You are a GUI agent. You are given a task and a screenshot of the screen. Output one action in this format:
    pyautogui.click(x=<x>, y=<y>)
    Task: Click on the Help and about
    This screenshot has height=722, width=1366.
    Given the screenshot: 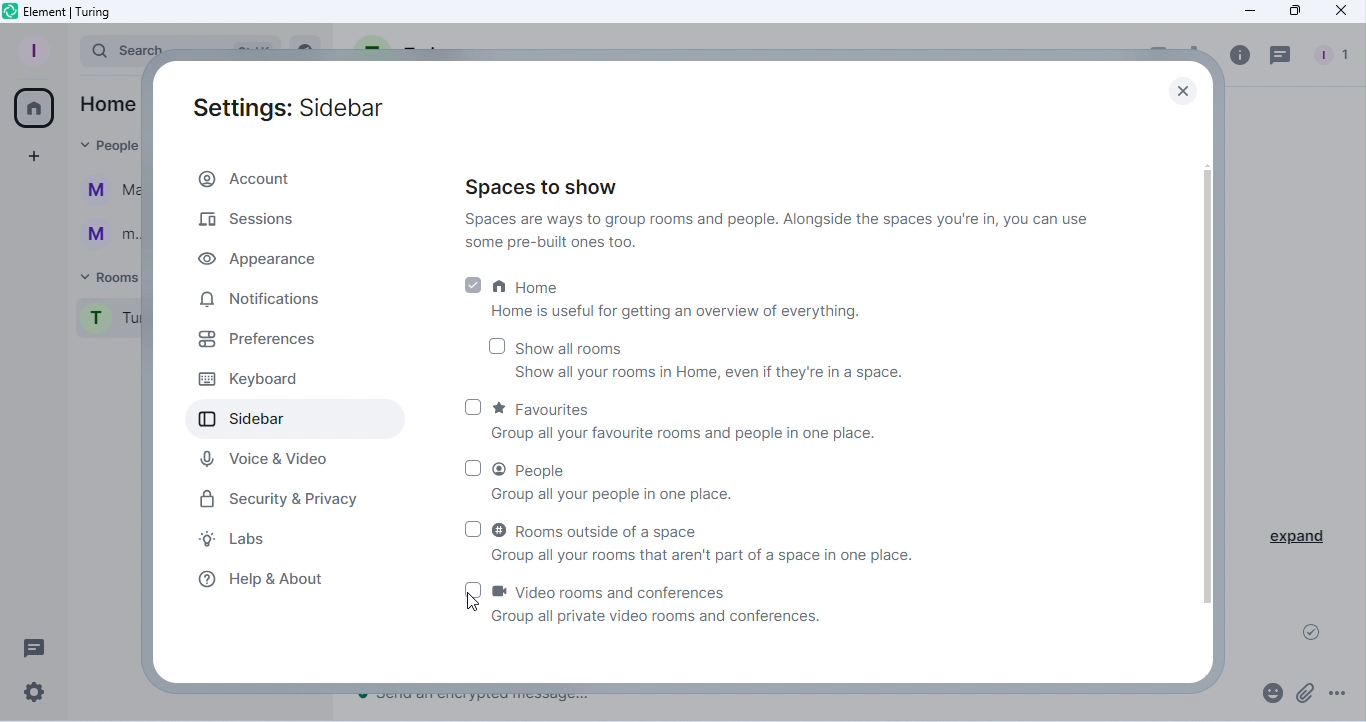 What is the action you would take?
    pyautogui.click(x=261, y=577)
    